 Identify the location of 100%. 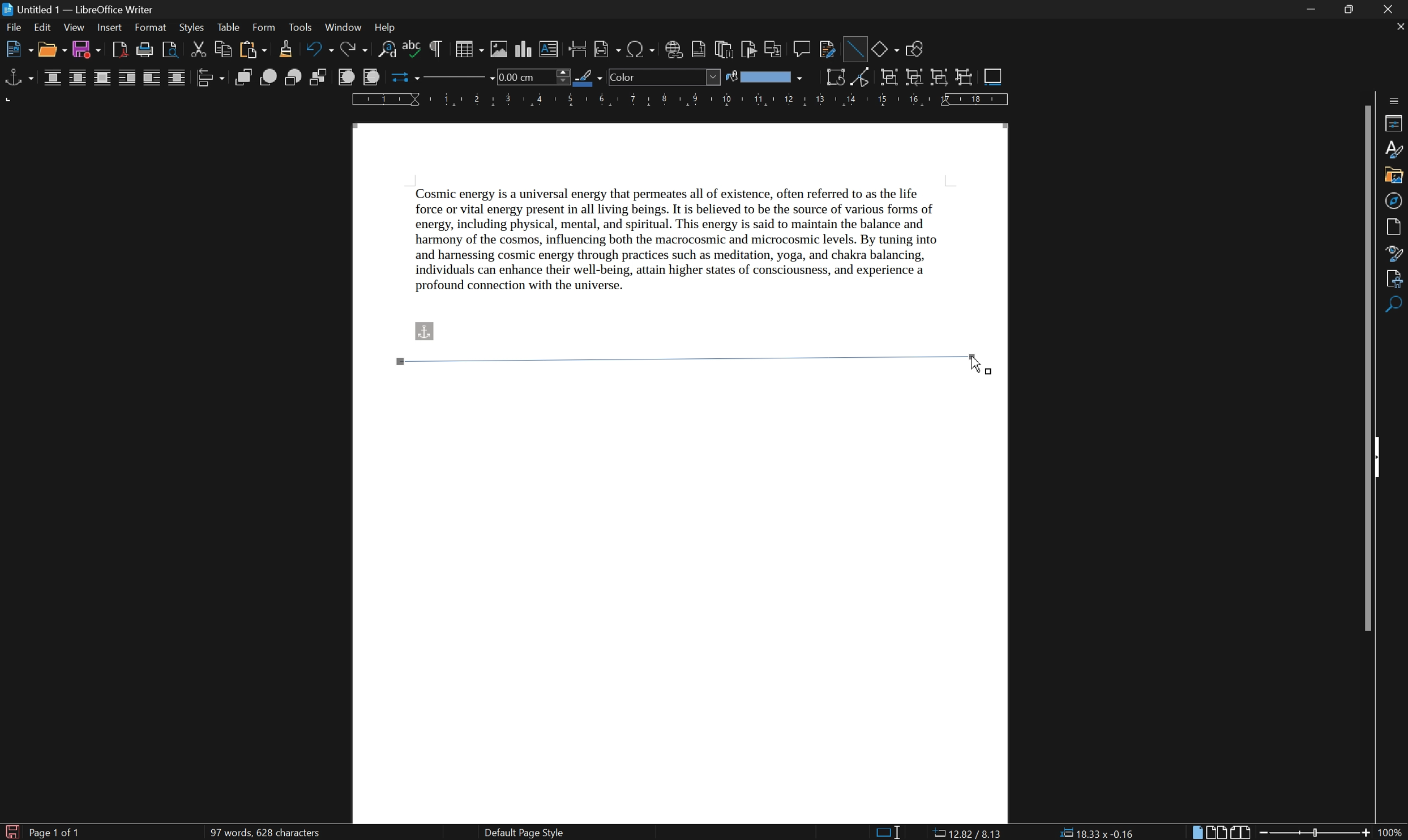
(1391, 833).